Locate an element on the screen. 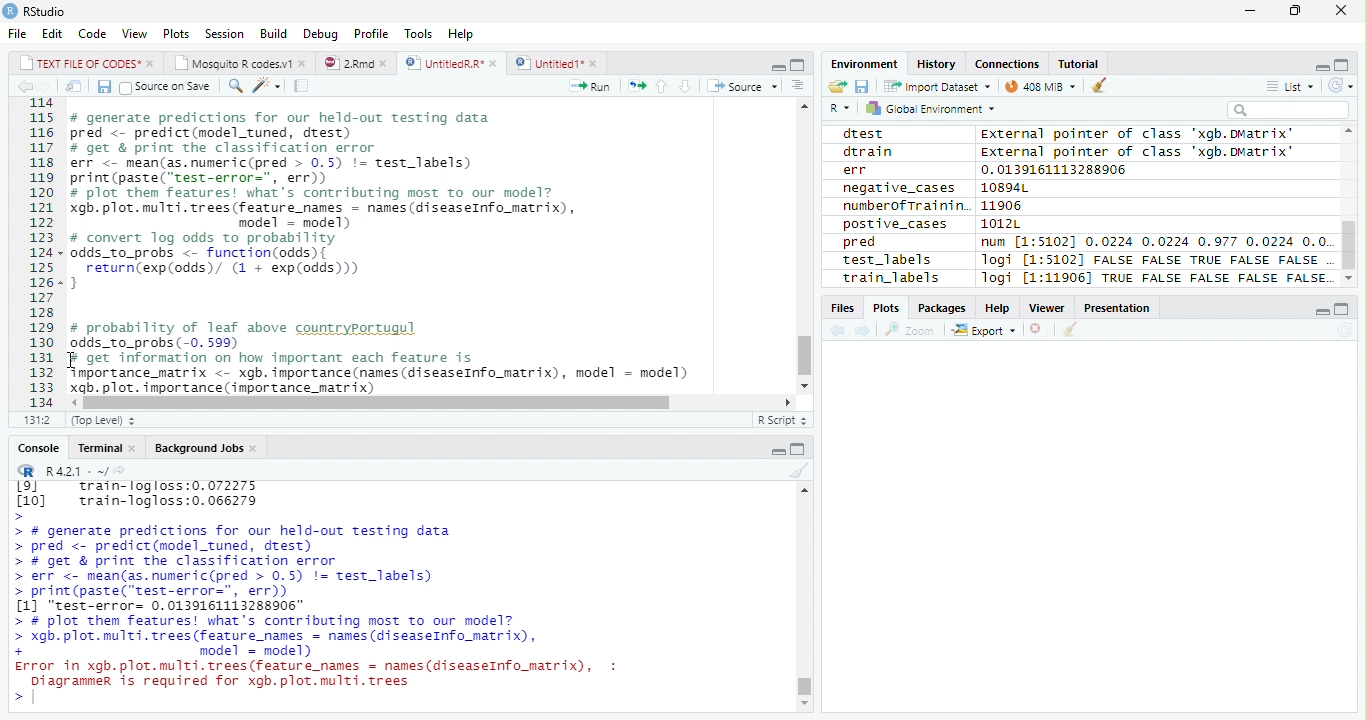  Help is located at coordinates (463, 36).